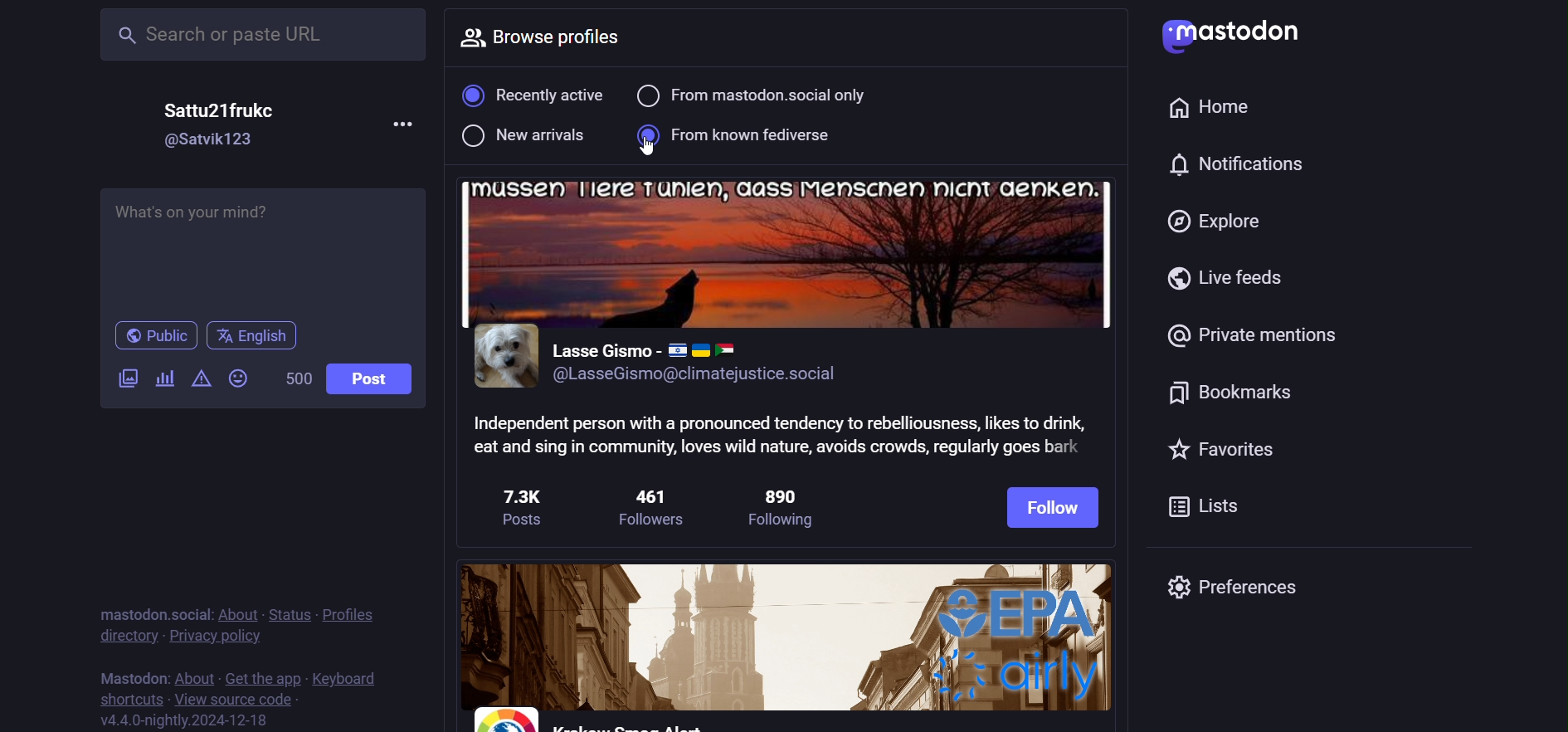 Image resolution: width=1568 pixels, height=732 pixels. I want to click on list, so click(1219, 504).